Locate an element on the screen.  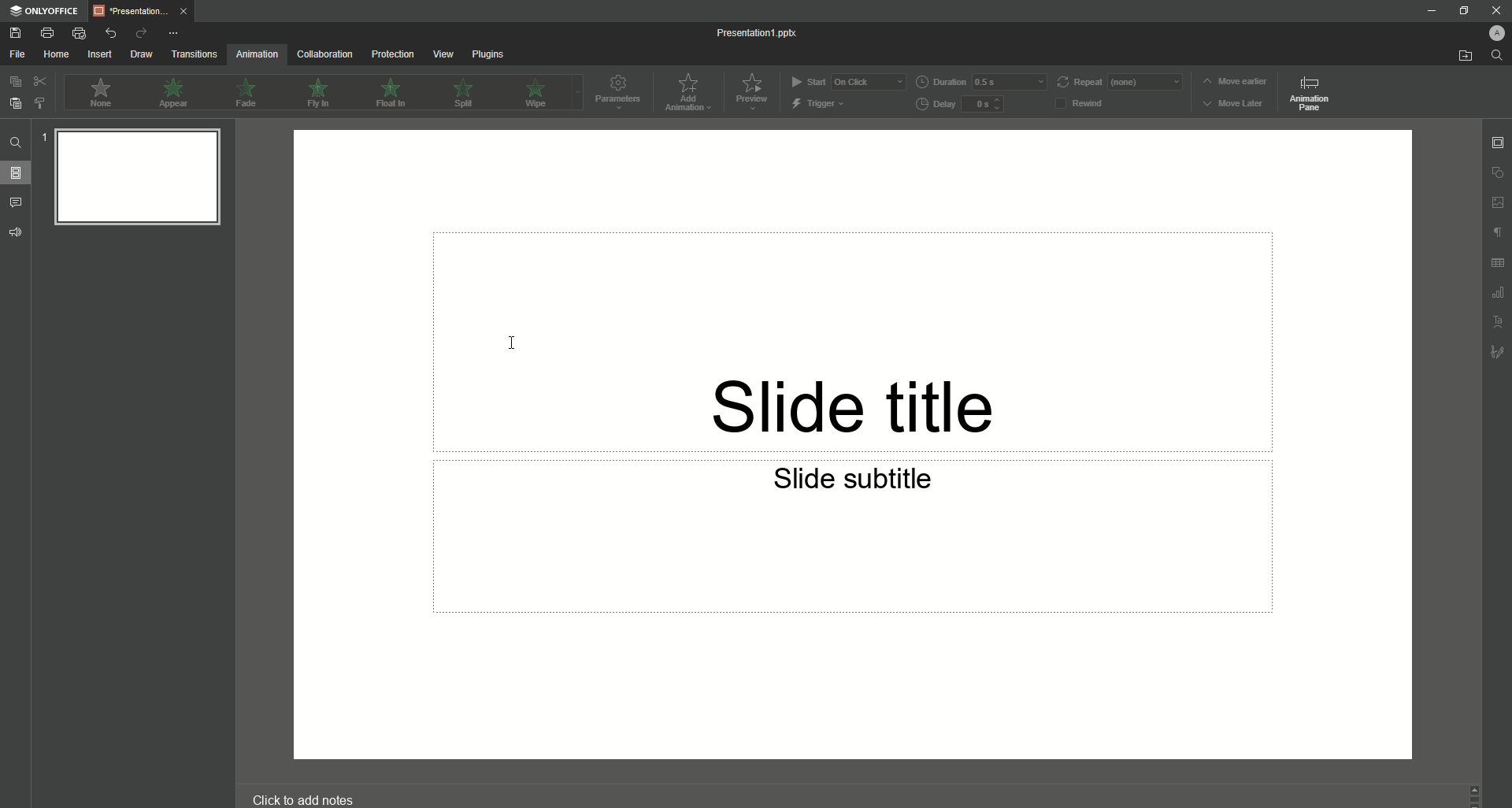
Quick Print is located at coordinates (78, 33).